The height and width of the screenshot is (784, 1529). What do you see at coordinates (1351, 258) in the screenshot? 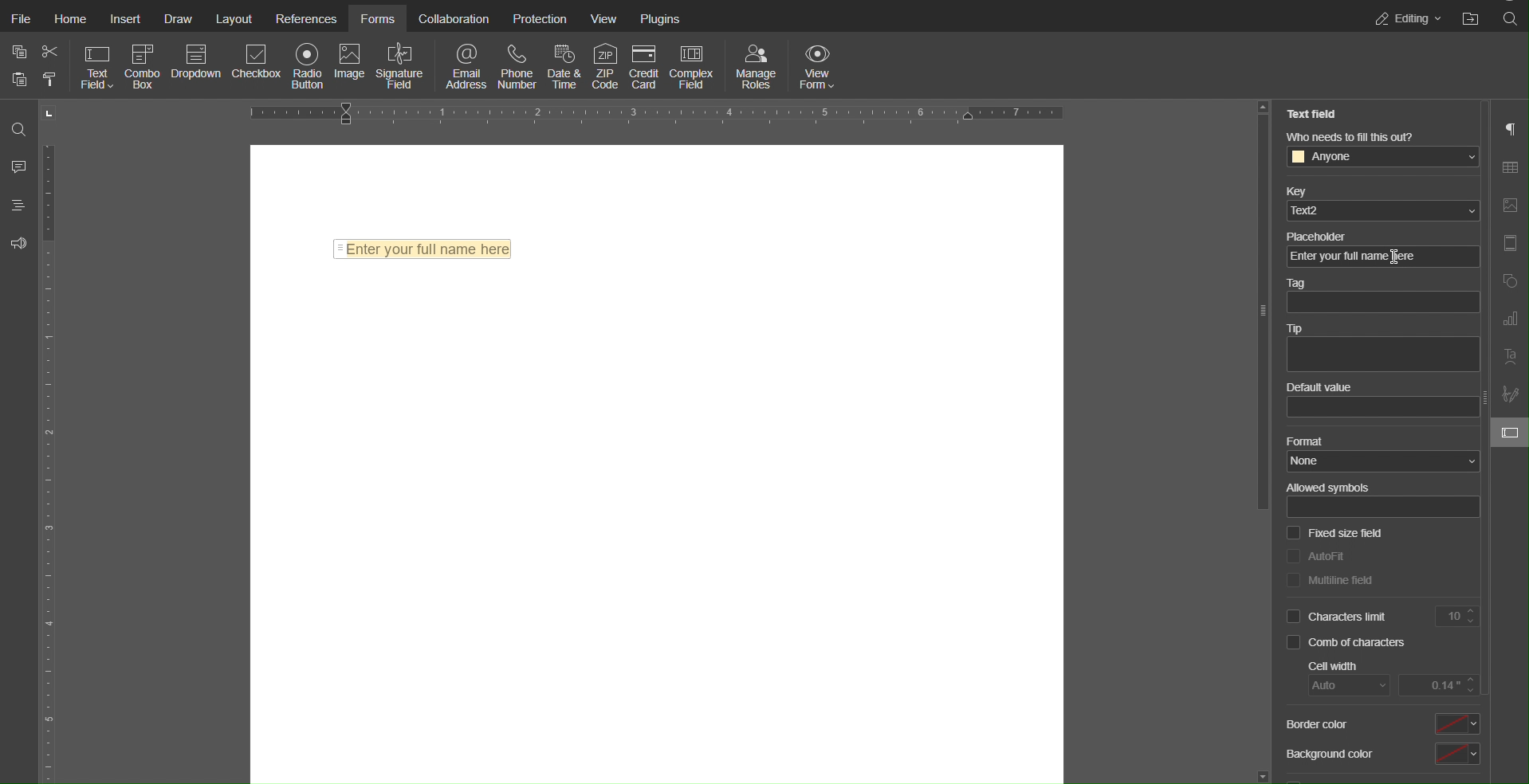
I see `Enter your full name here` at bounding box center [1351, 258].